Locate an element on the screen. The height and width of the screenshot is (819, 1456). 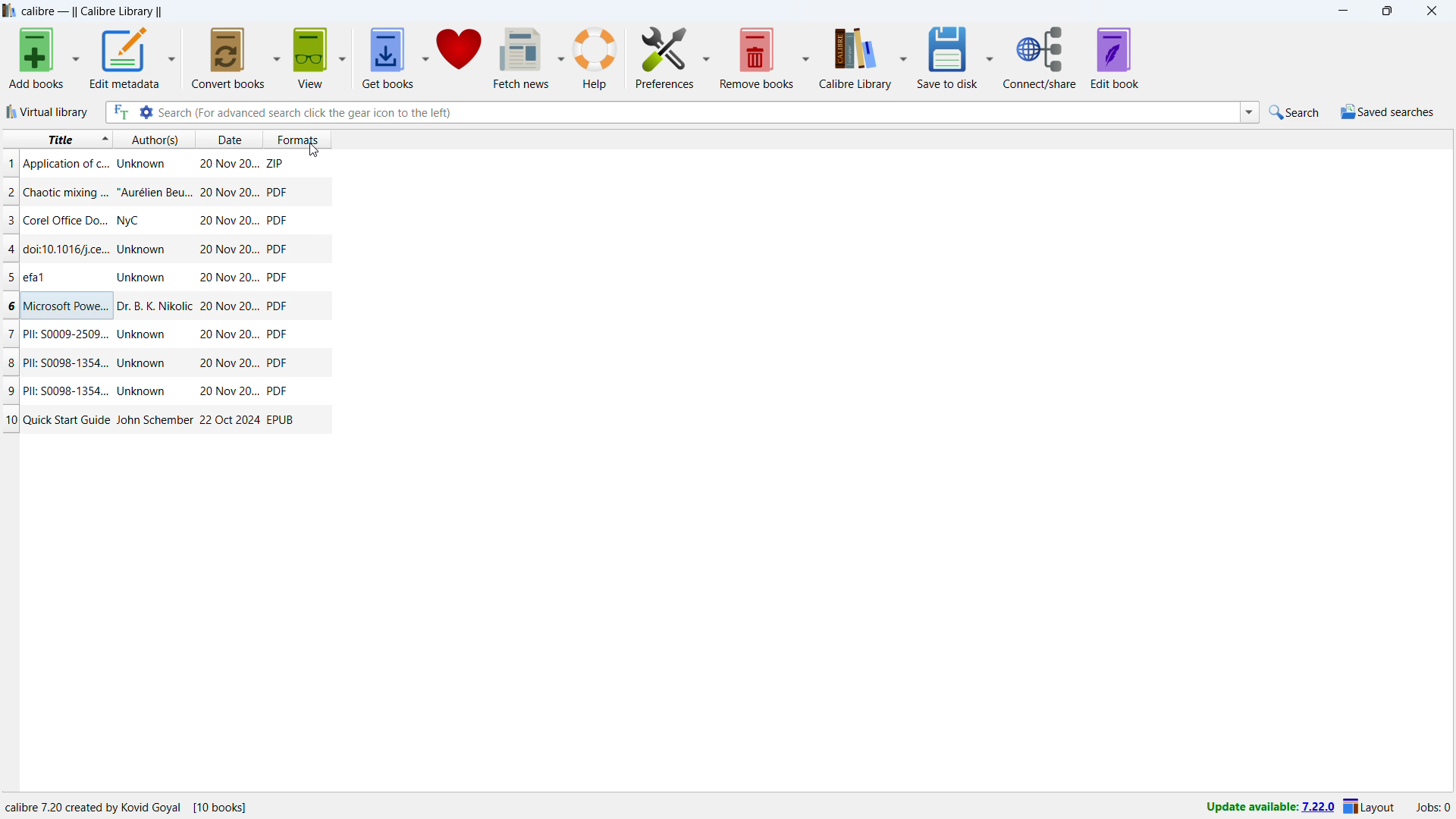
author is located at coordinates (136, 220).